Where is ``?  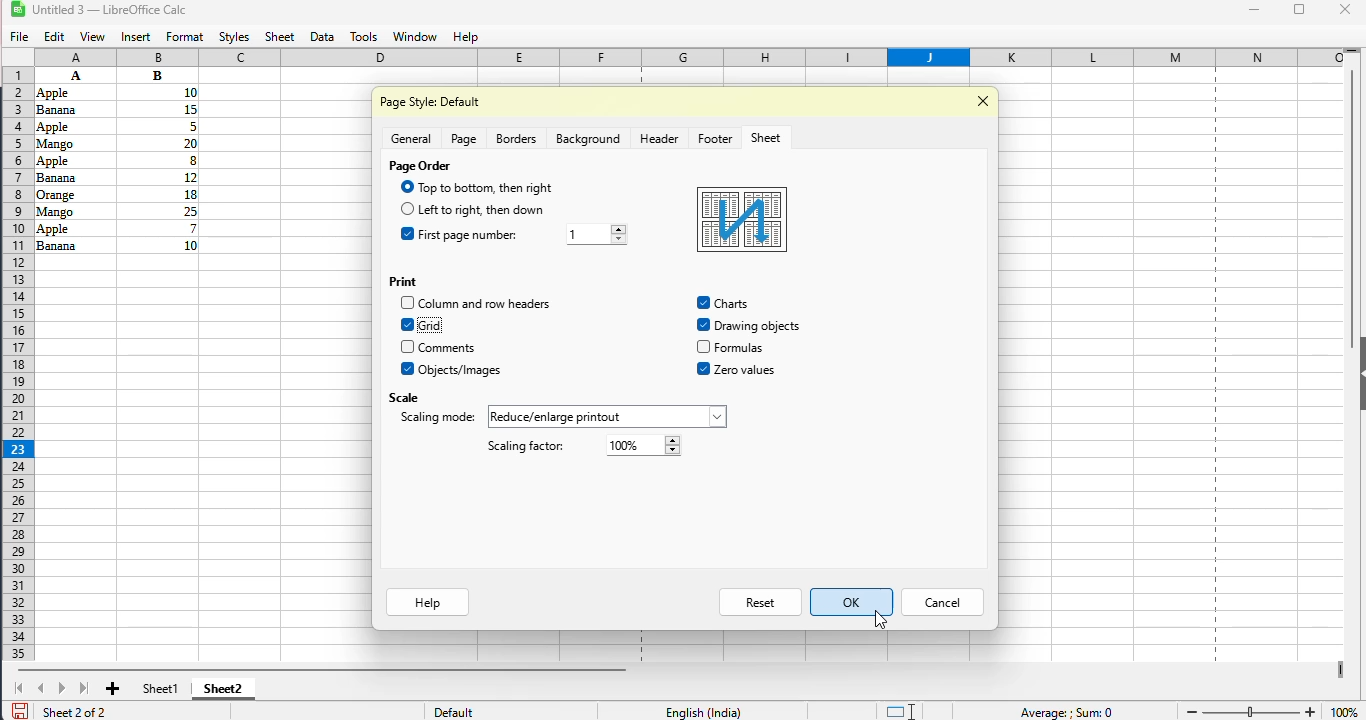
 is located at coordinates (408, 369).